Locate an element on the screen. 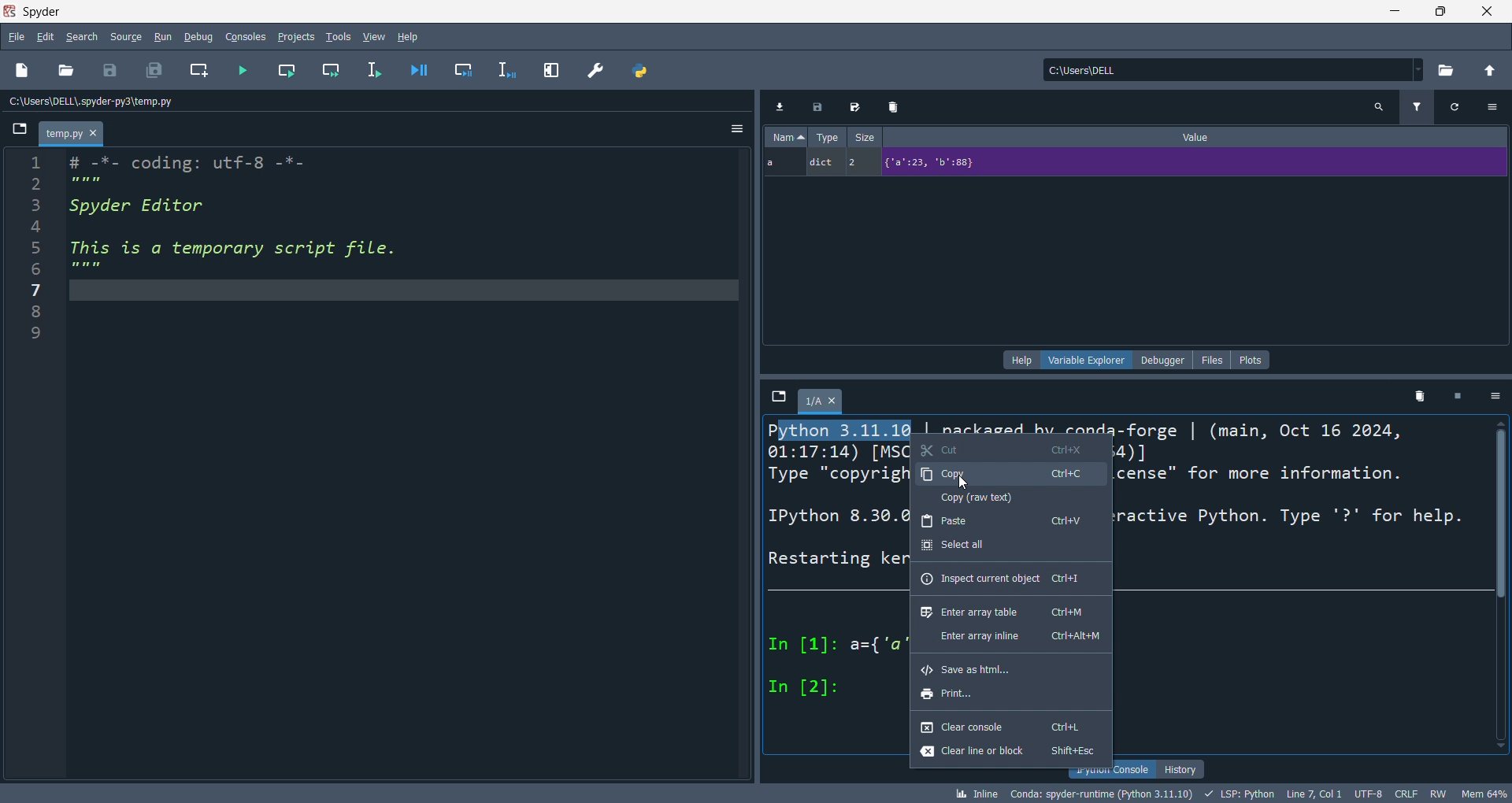 The height and width of the screenshot is (803, 1512). run is located at coordinates (168, 37).